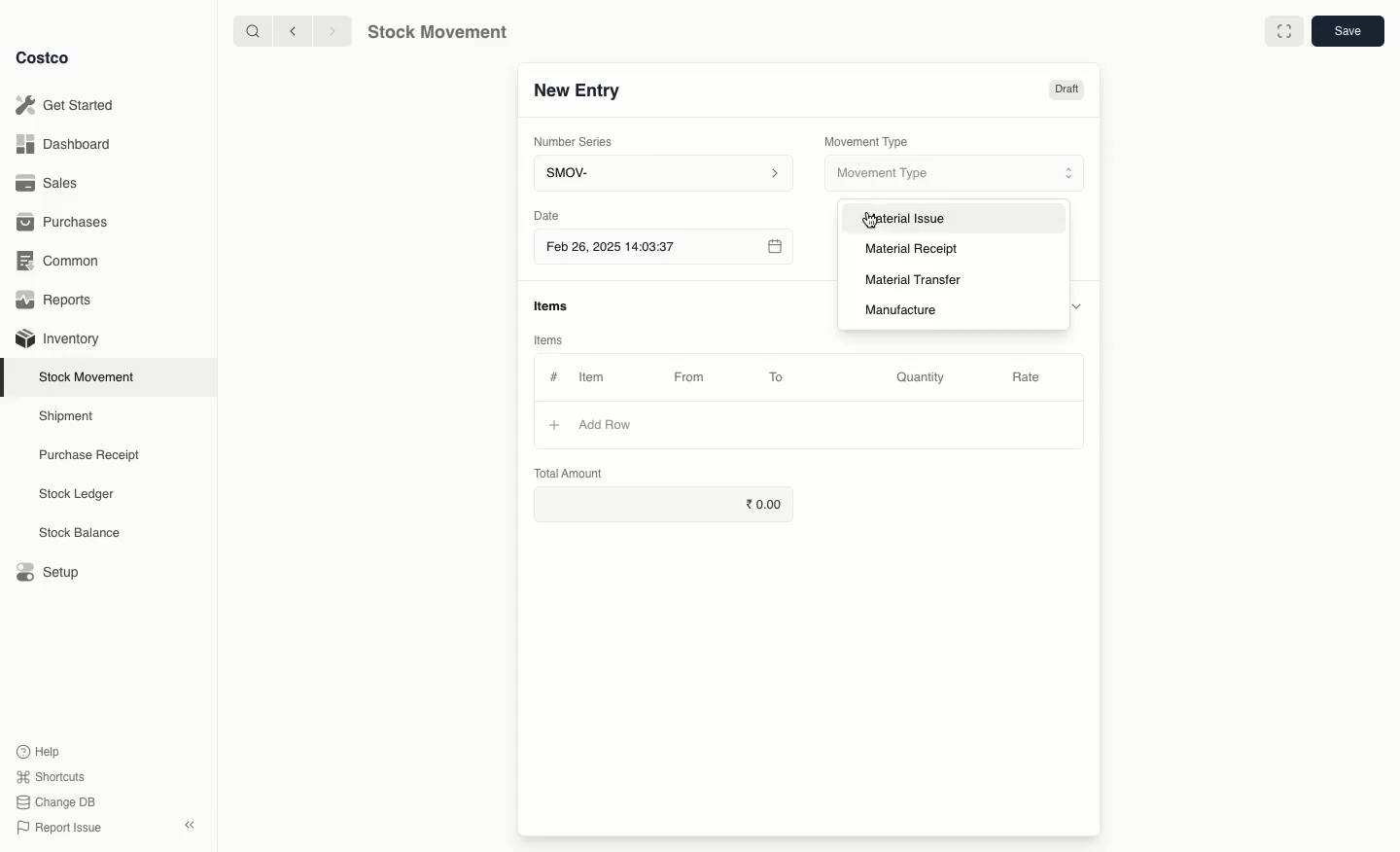 The image size is (1400, 852). I want to click on Purchases, so click(66, 224).